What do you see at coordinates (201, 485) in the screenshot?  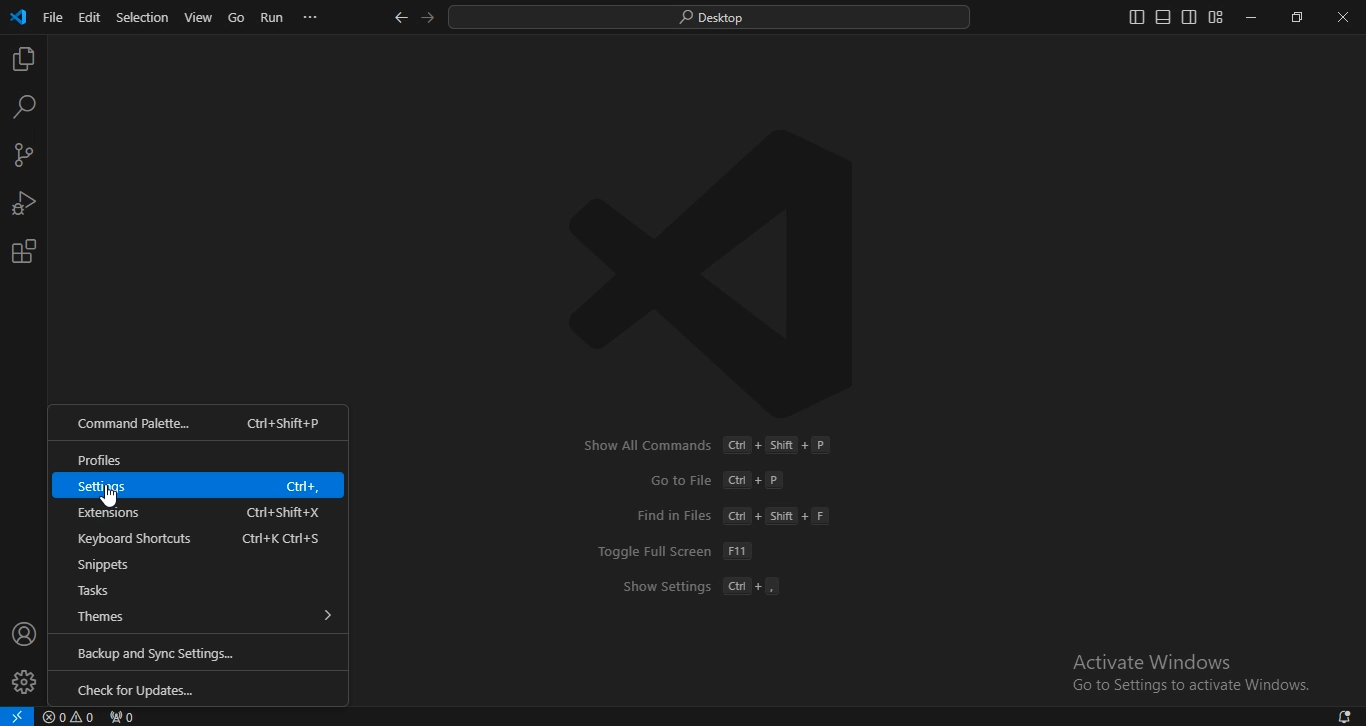 I see `ettings` at bounding box center [201, 485].